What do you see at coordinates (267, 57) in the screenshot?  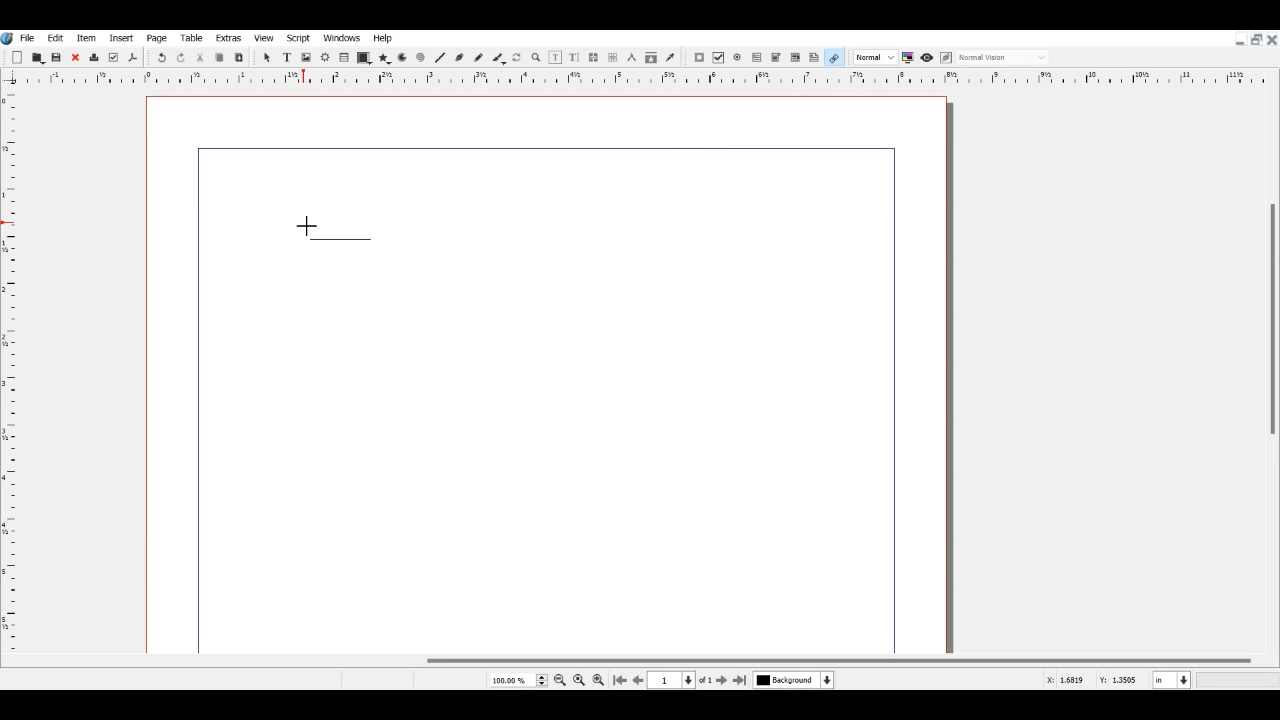 I see `Select Item` at bounding box center [267, 57].